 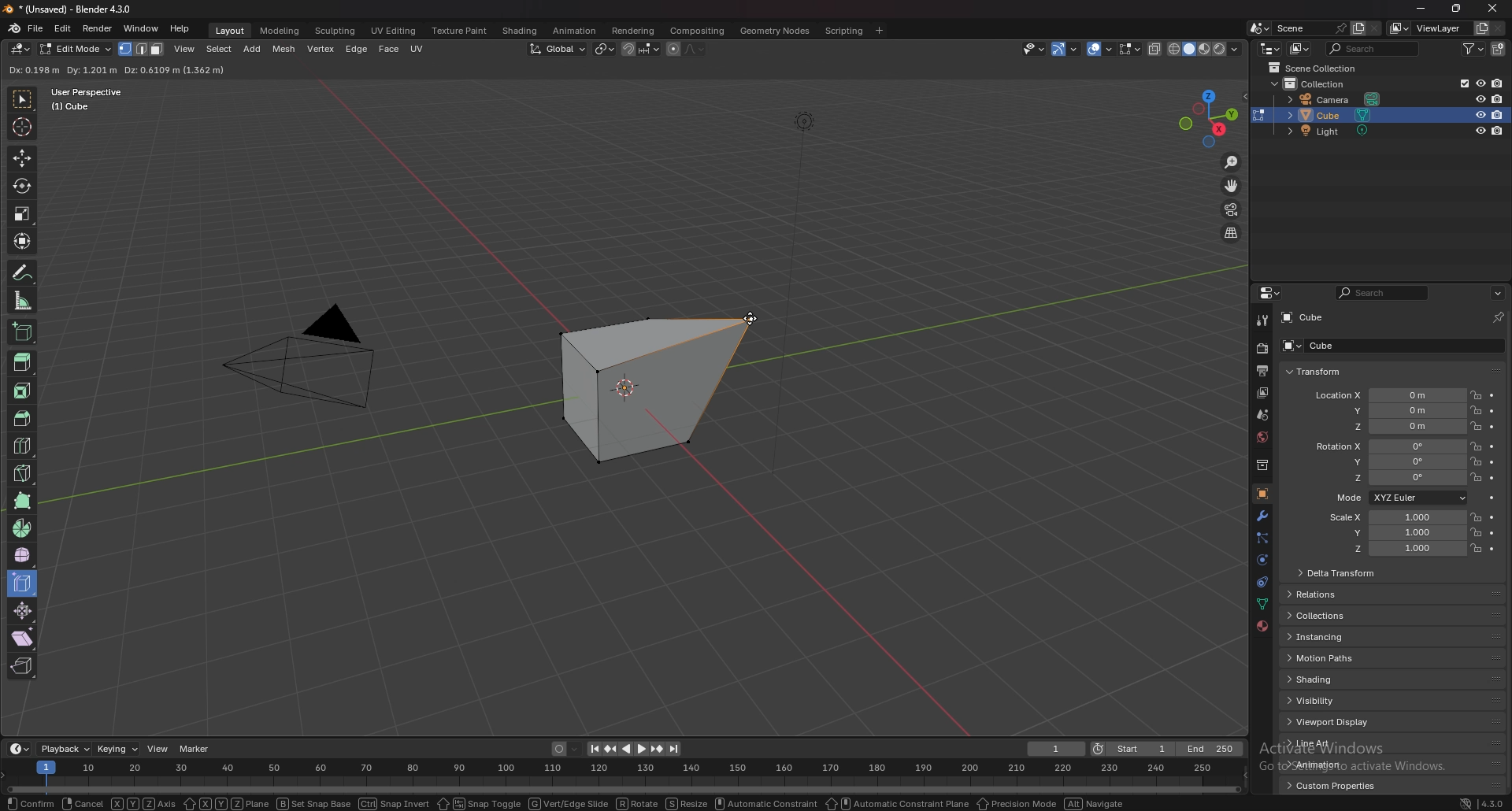 What do you see at coordinates (22, 637) in the screenshot?
I see `shear` at bounding box center [22, 637].